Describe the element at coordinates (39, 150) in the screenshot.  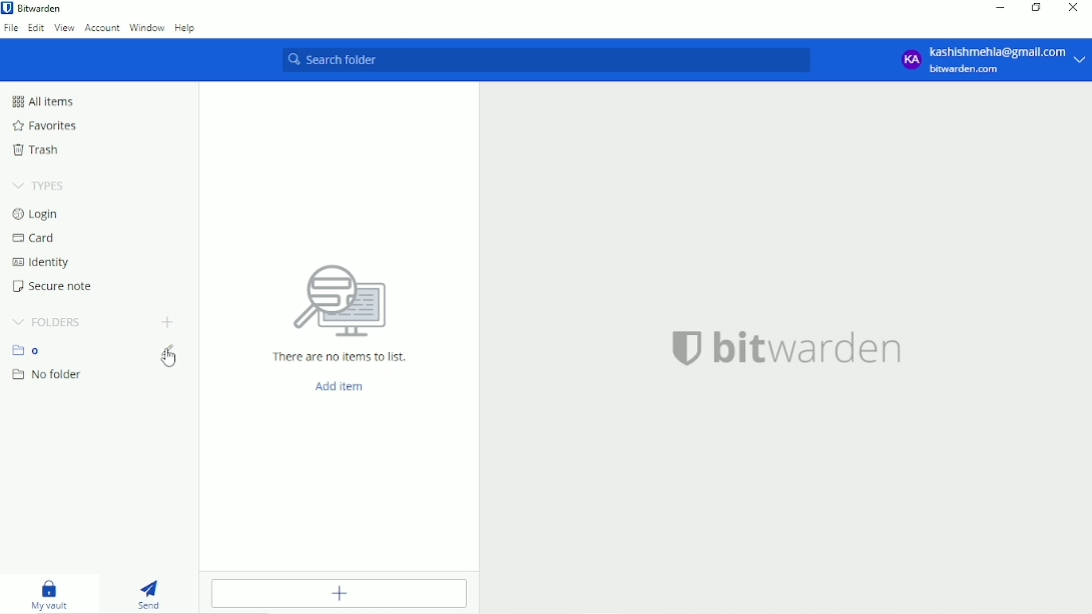
I see `Trash` at that location.